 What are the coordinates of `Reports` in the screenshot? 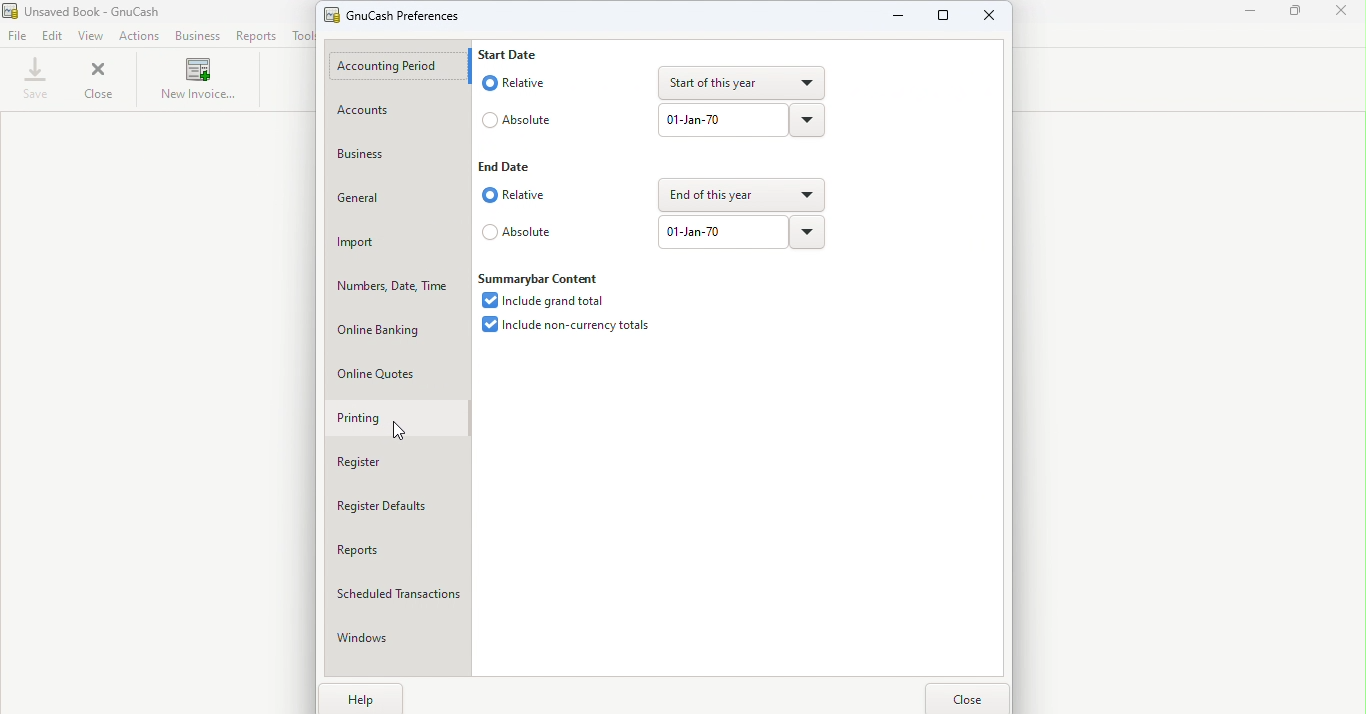 It's located at (400, 555).